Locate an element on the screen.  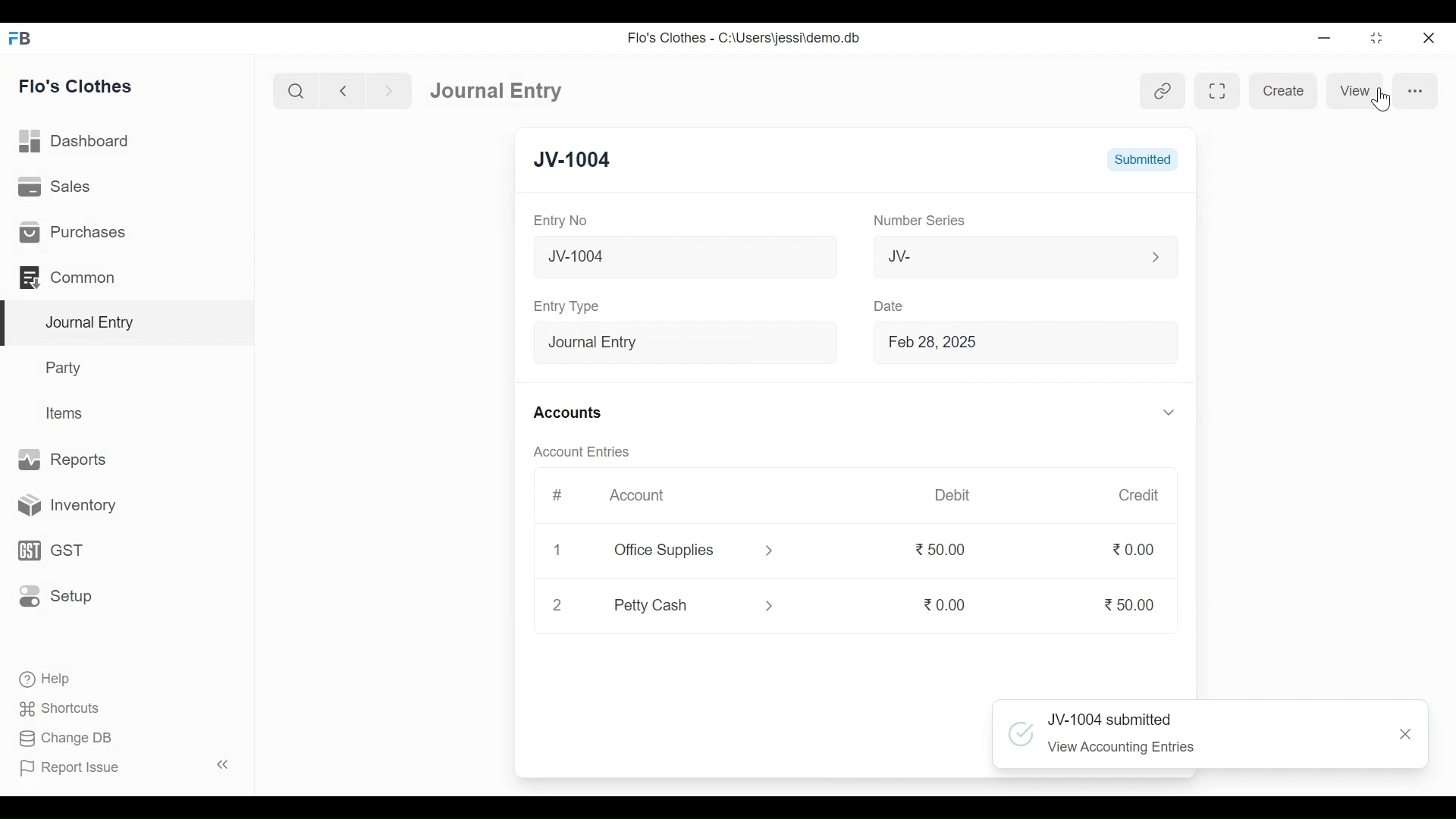
Expand is located at coordinates (1158, 412).